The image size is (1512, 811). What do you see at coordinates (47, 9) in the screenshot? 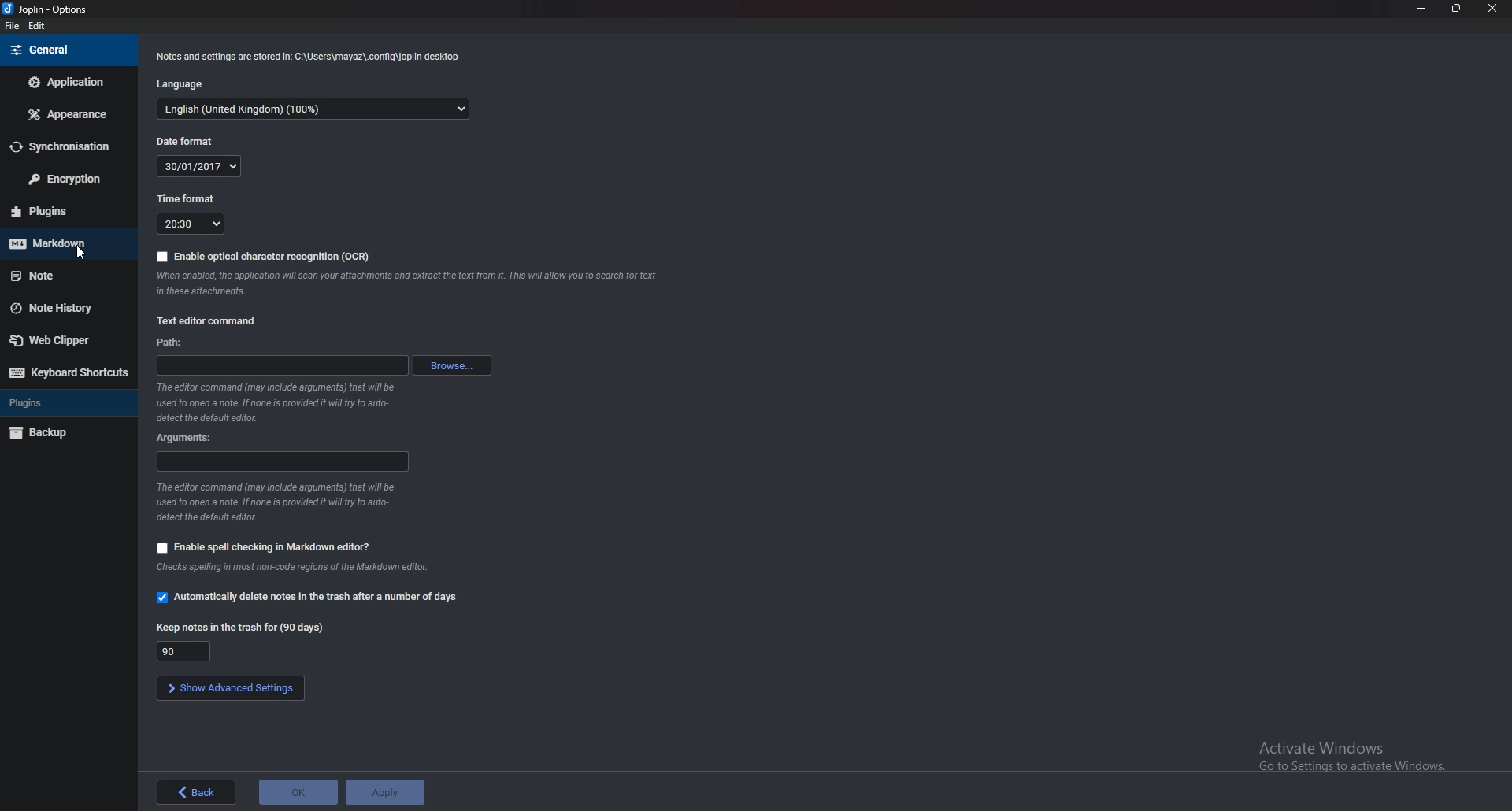
I see `options` at bounding box center [47, 9].